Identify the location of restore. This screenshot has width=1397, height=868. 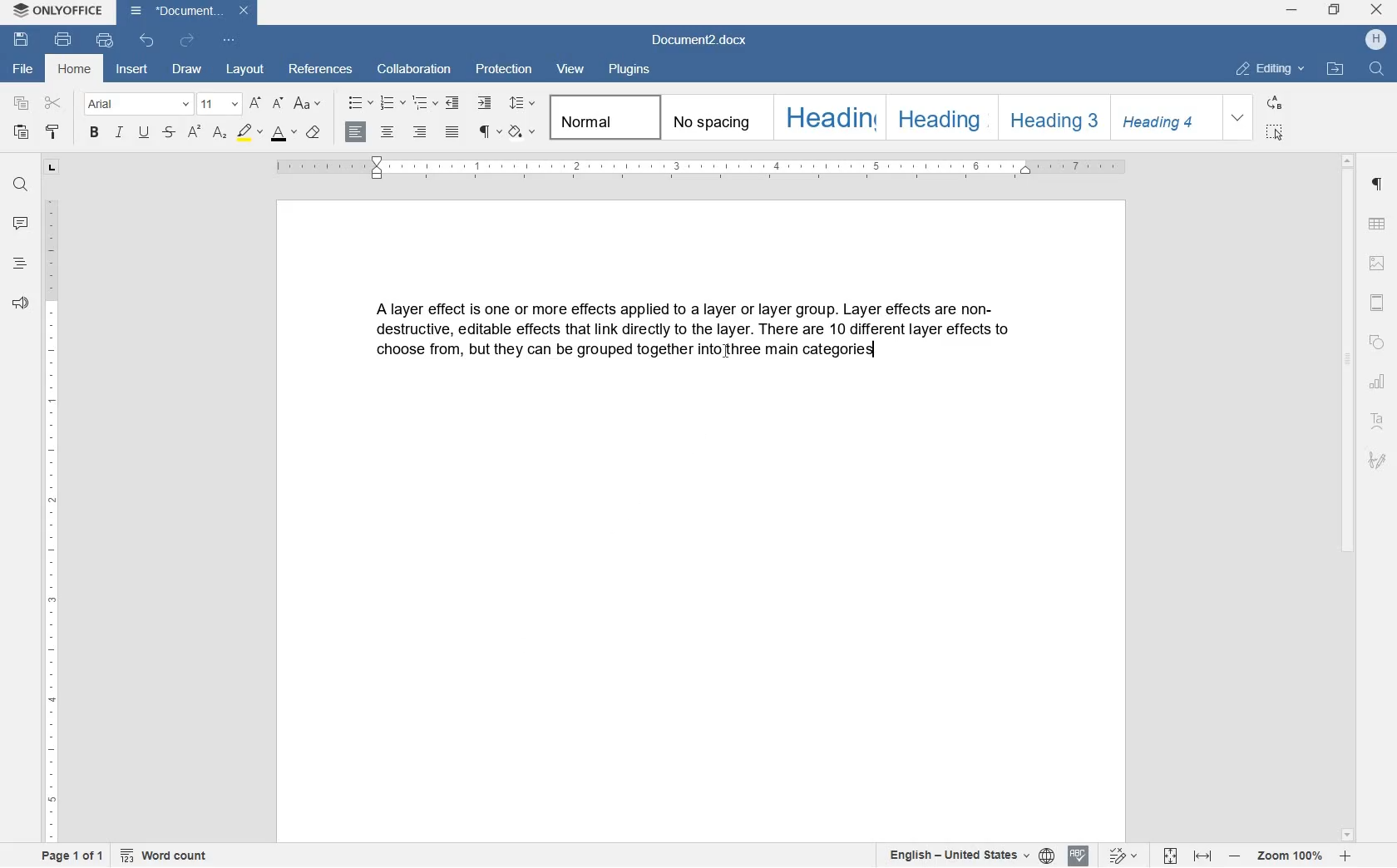
(1333, 11).